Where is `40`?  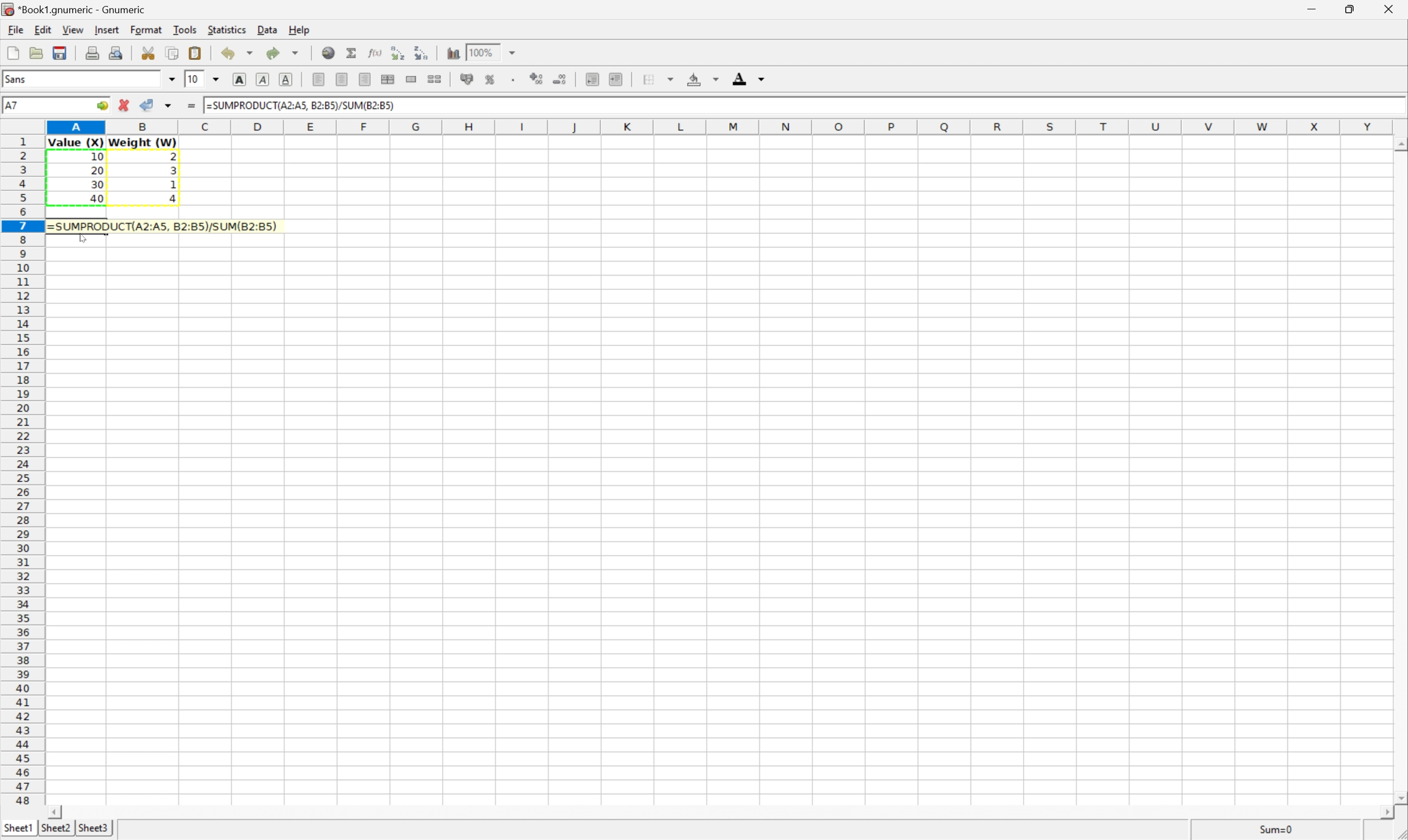 40 is located at coordinates (98, 199).